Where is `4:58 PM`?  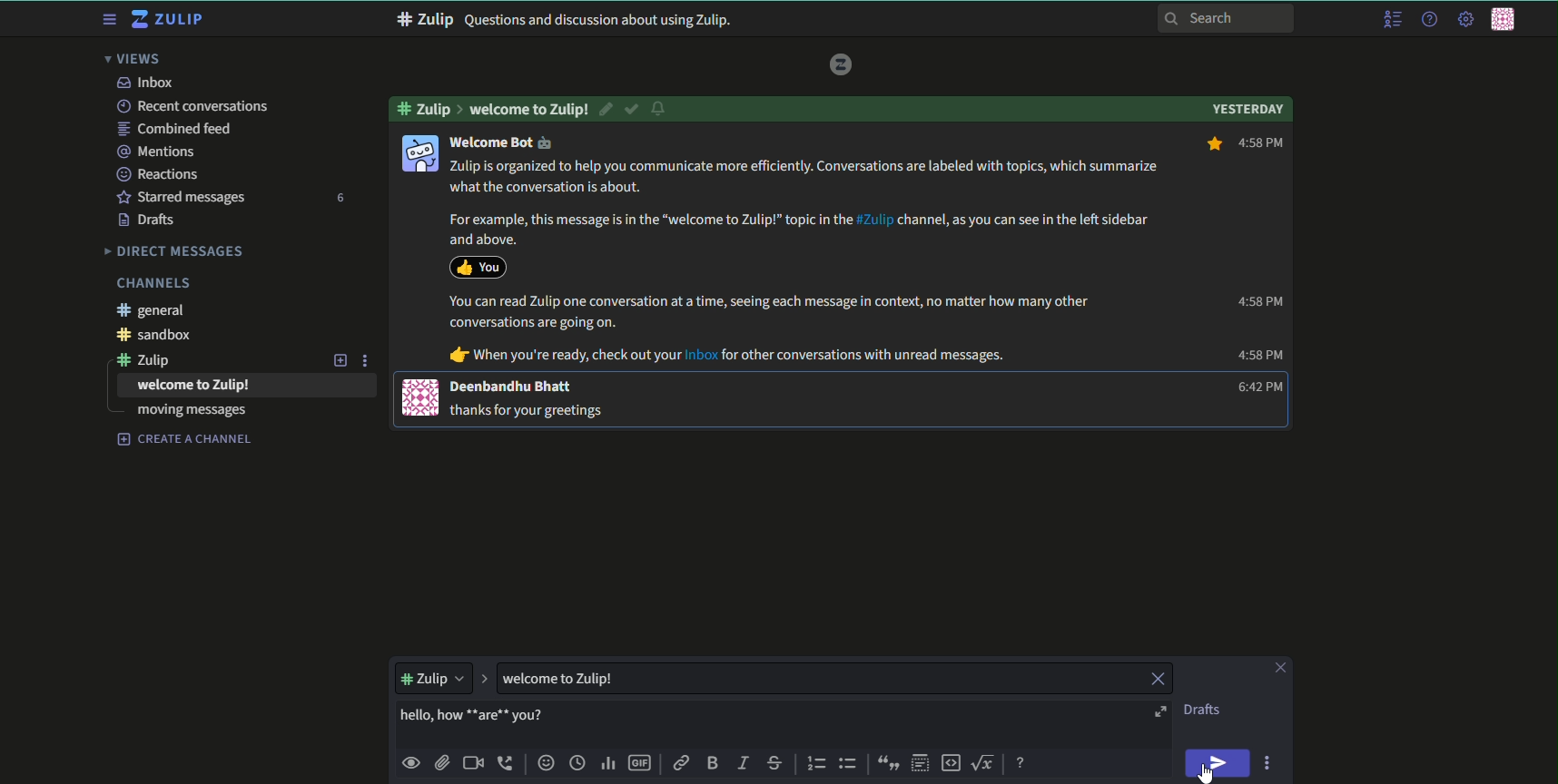
4:58 PM is located at coordinates (1260, 356).